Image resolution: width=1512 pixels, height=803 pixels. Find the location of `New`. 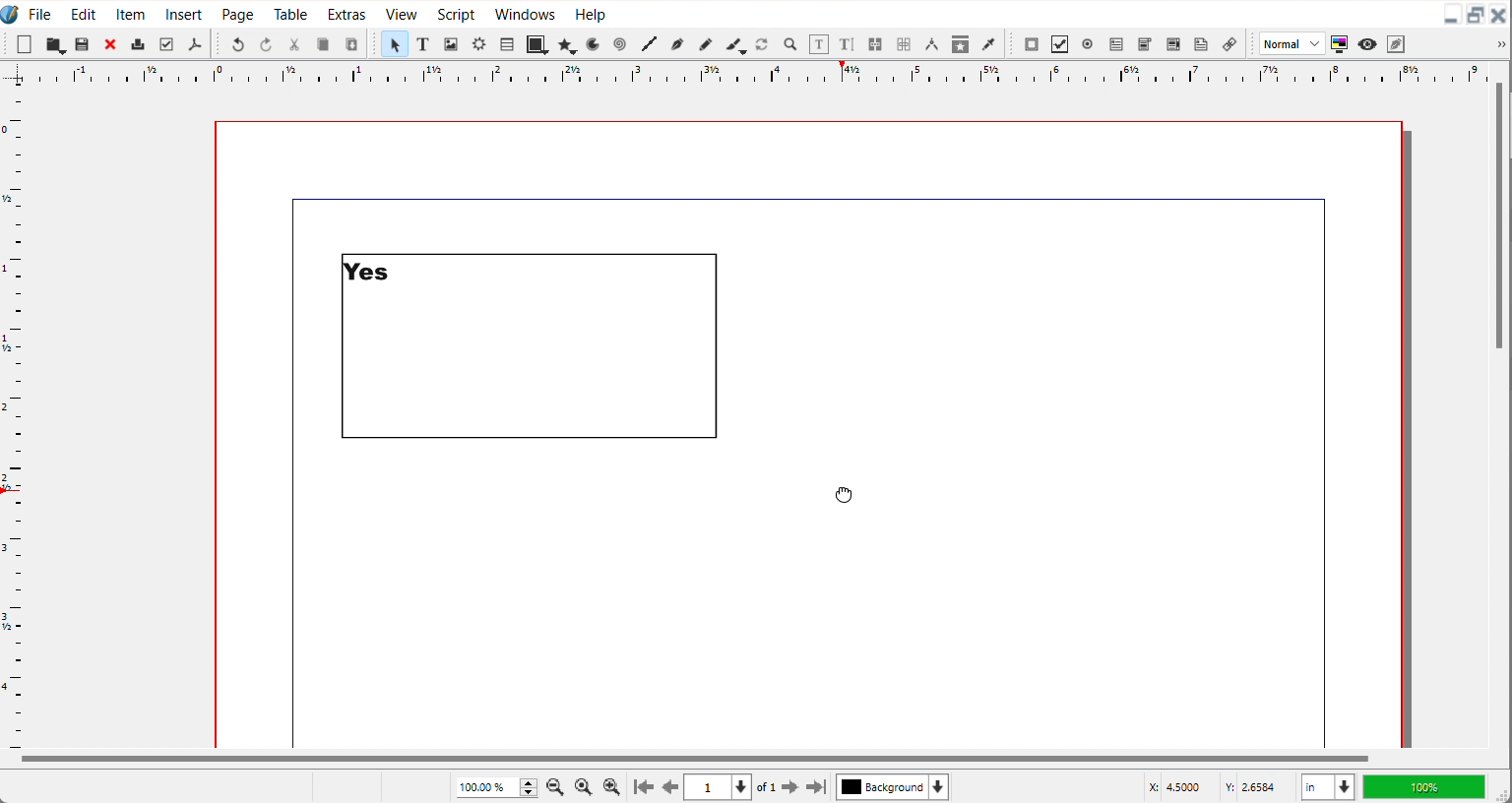

New is located at coordinates (25, 44).